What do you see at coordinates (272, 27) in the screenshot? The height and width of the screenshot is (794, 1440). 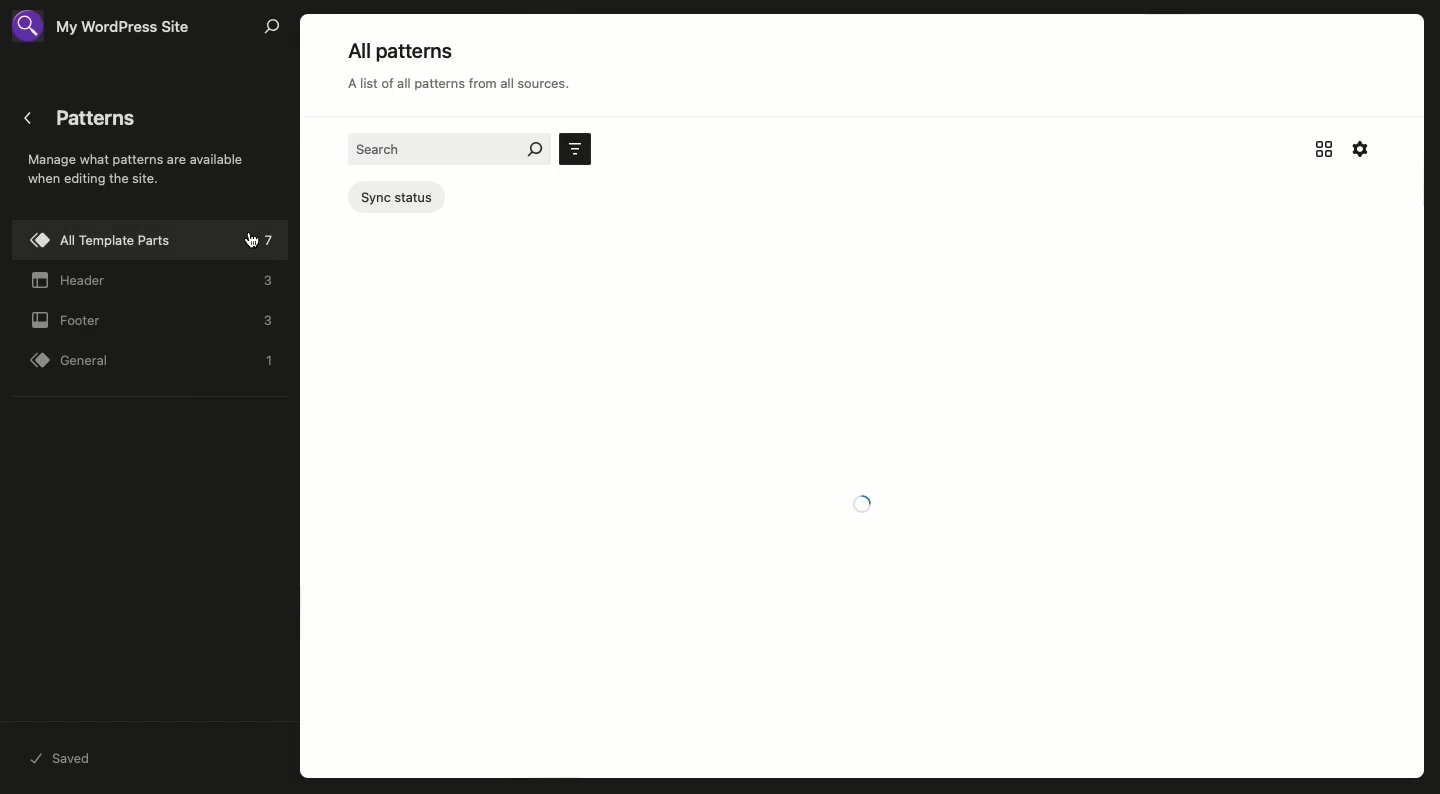 I see `Search` at bounding box center [272, 27].